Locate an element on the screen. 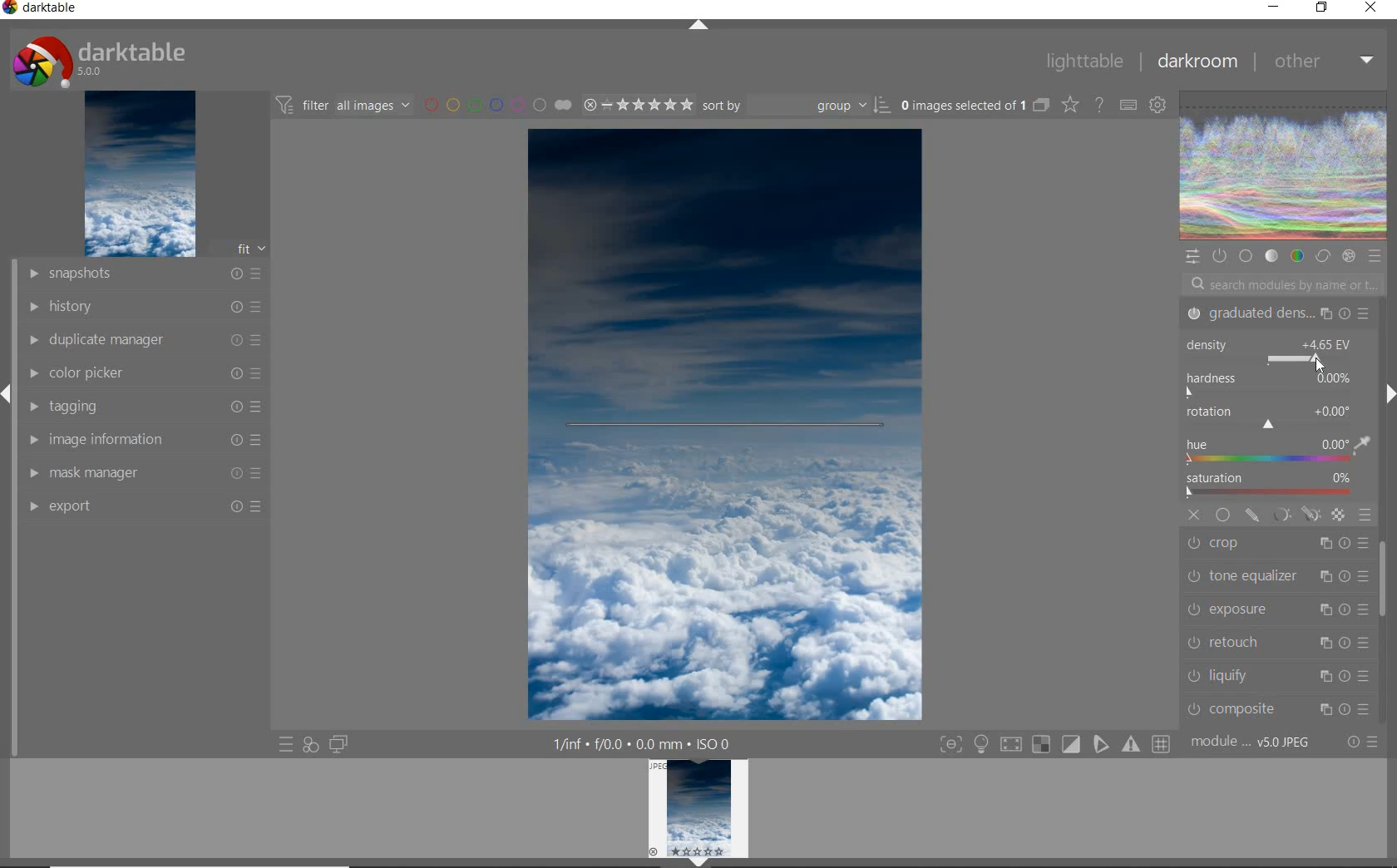  SELECTED IMAGE RANGE RATING is located at coordinates (635, 102).